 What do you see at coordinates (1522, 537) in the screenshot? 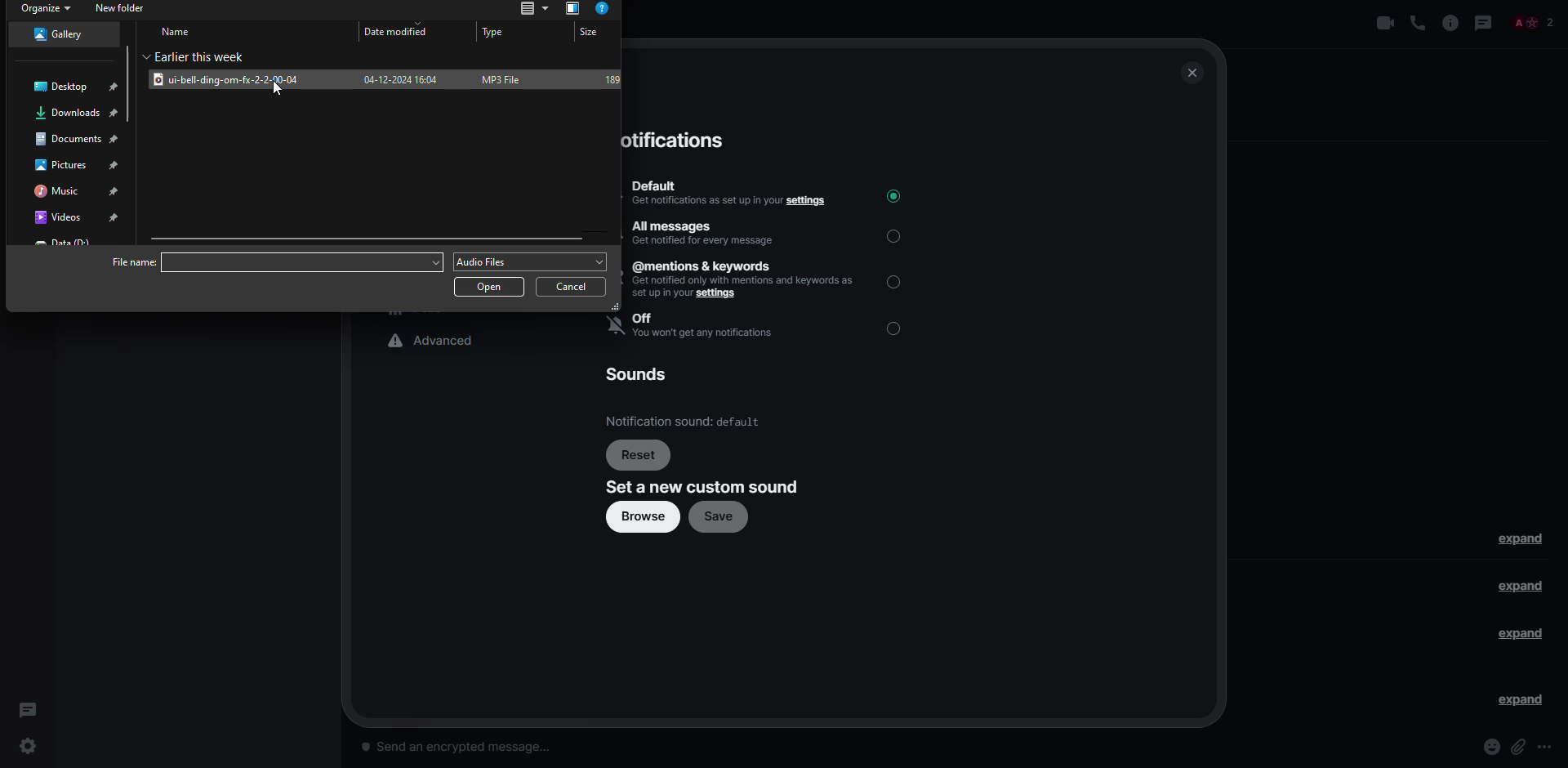
I see `expand` at bounding box center [1522, 537].